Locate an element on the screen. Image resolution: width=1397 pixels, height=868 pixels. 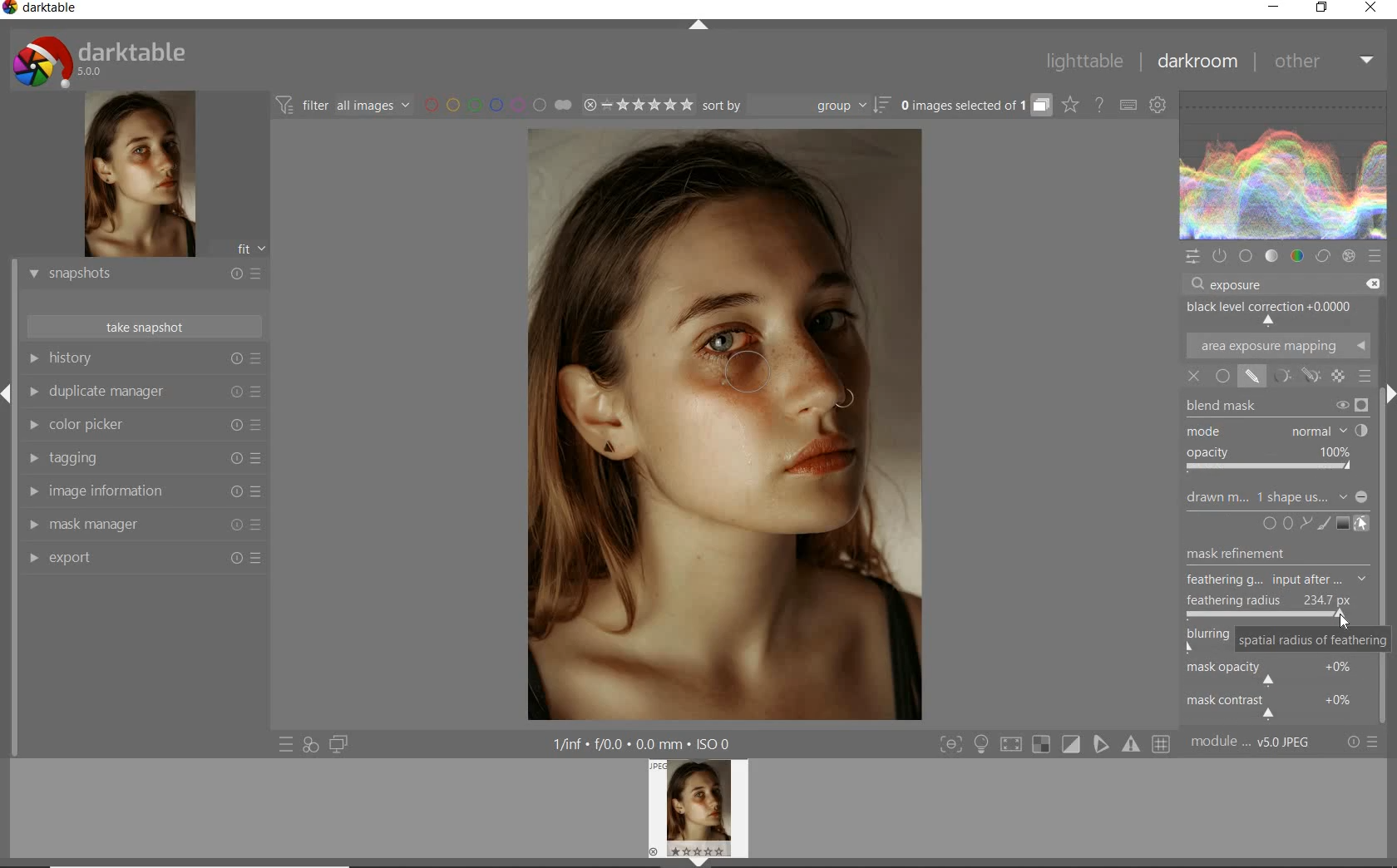
filter images based on their modules is located at coordinates (343, 105).